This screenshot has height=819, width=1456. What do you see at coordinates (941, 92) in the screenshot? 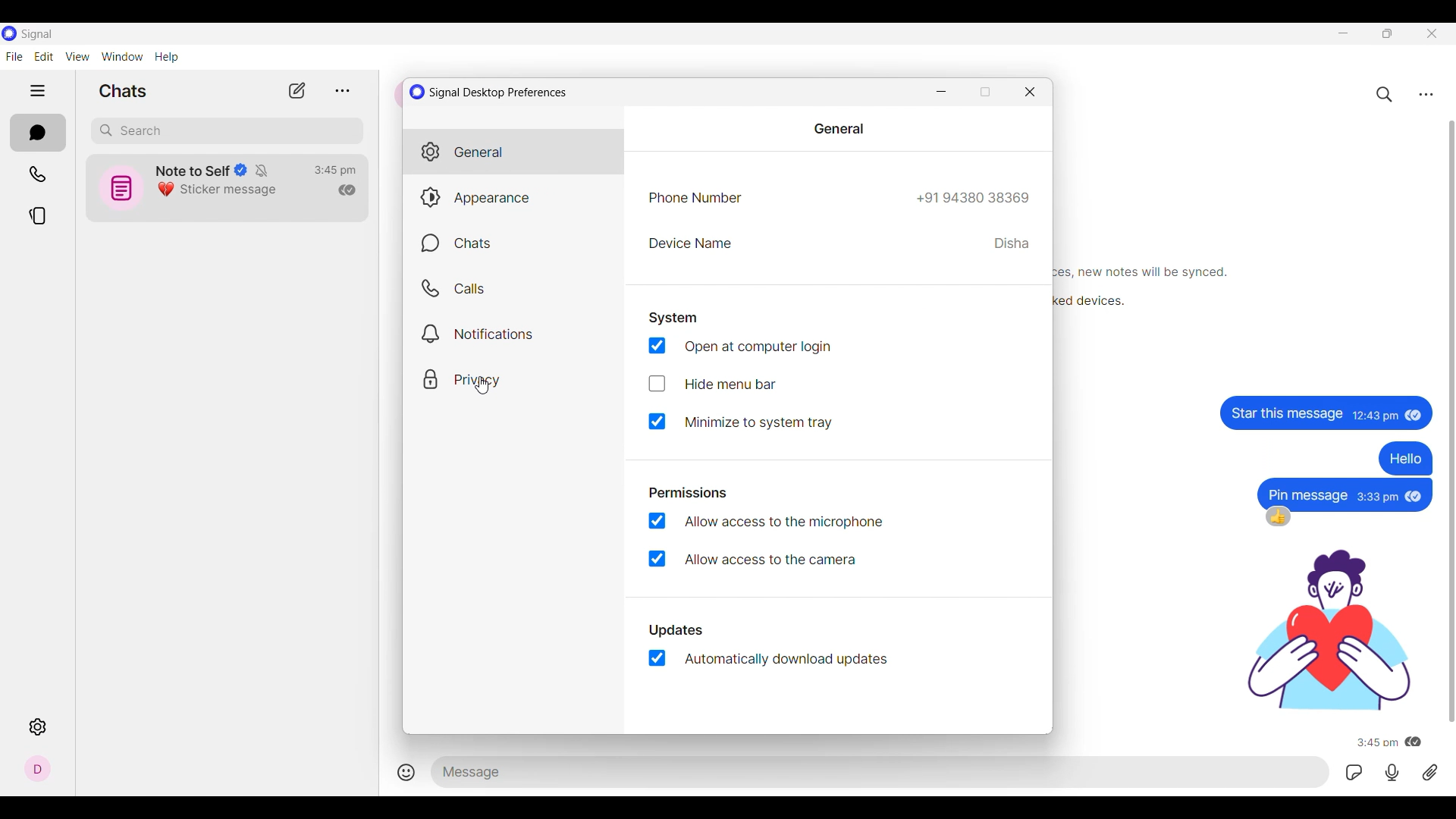
I see `Minimize window ` at bounding box center [941, 92].